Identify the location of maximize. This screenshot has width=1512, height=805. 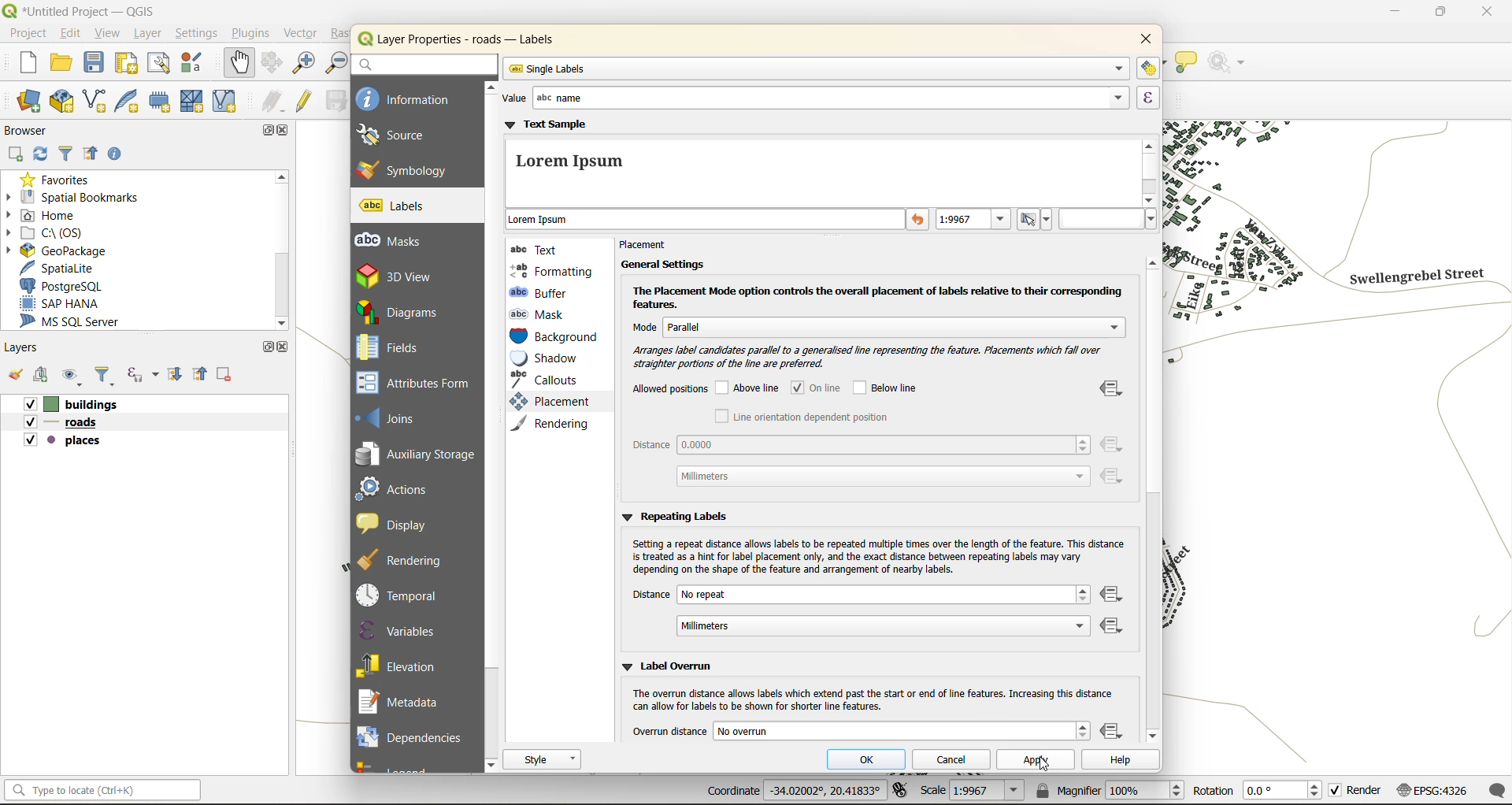
(1440, 15).